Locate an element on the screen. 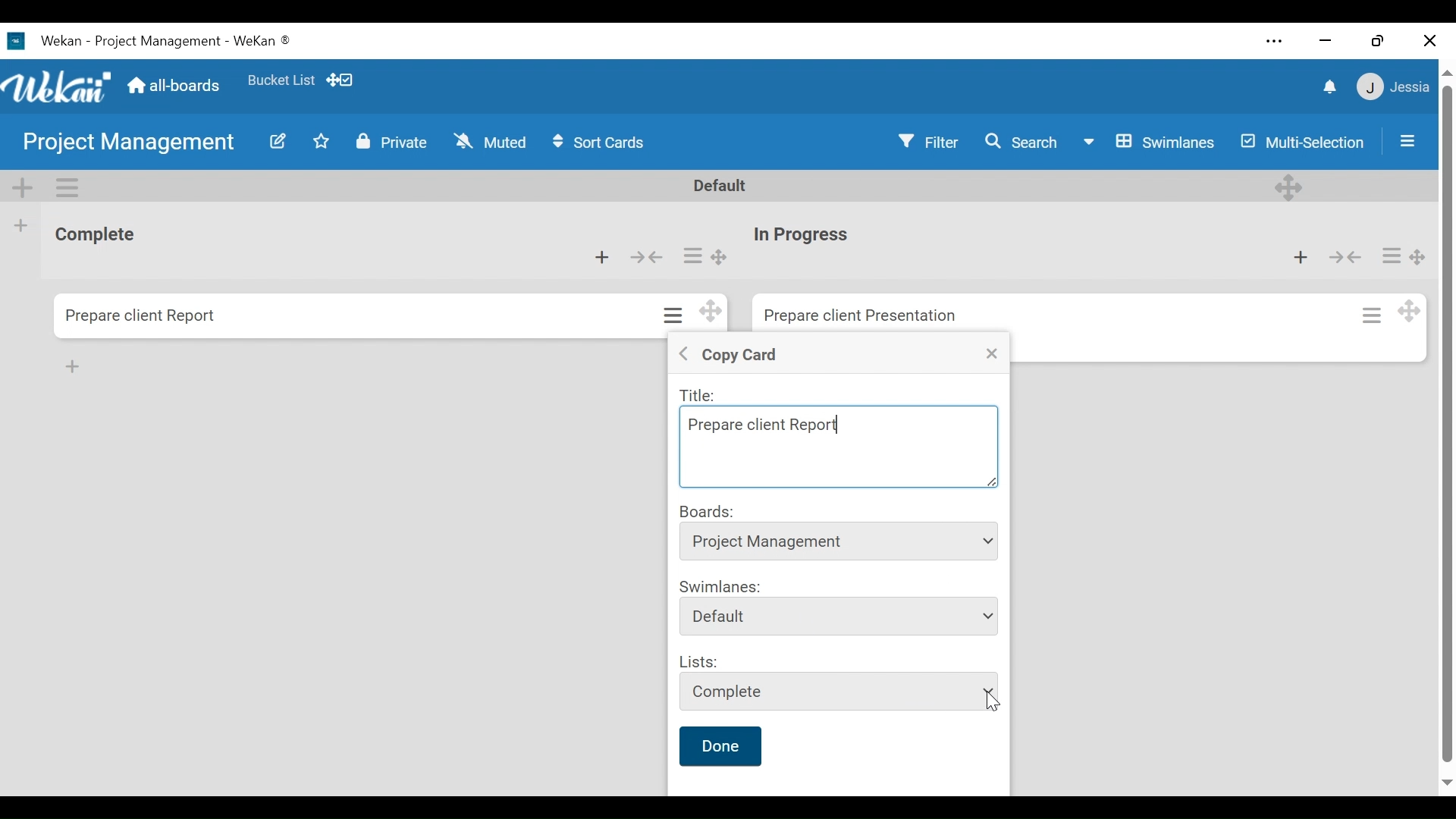 The image size is (1456, 819). Sort Cards is located at coordinates (598, 142).